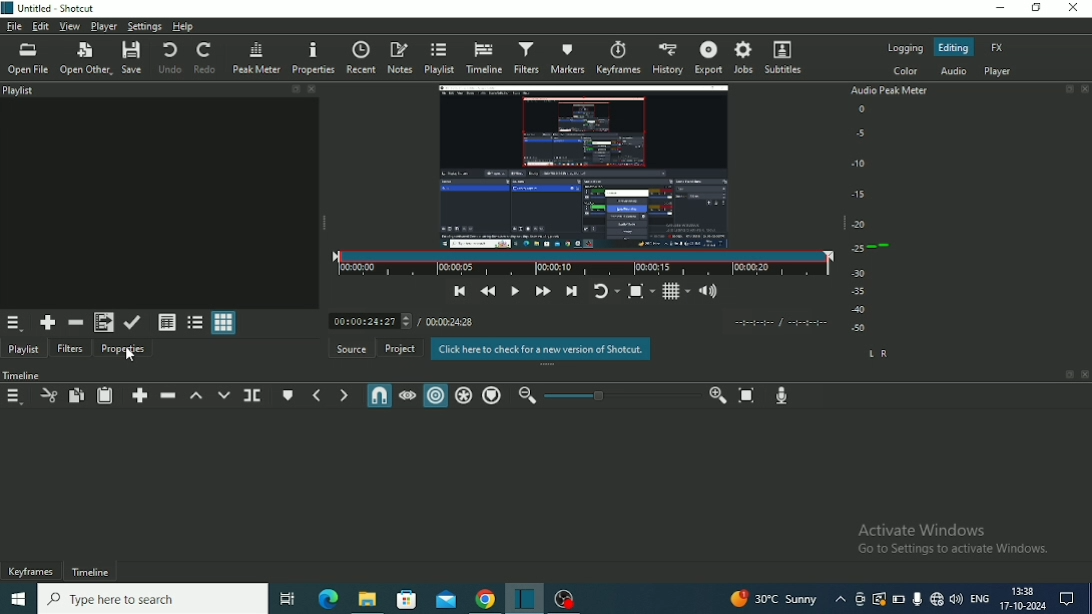 The image size is (1092, 614). What do you see at coordinates (954, 71) in the screenshot?
I see `Audio` at bounding box center [954, 71].